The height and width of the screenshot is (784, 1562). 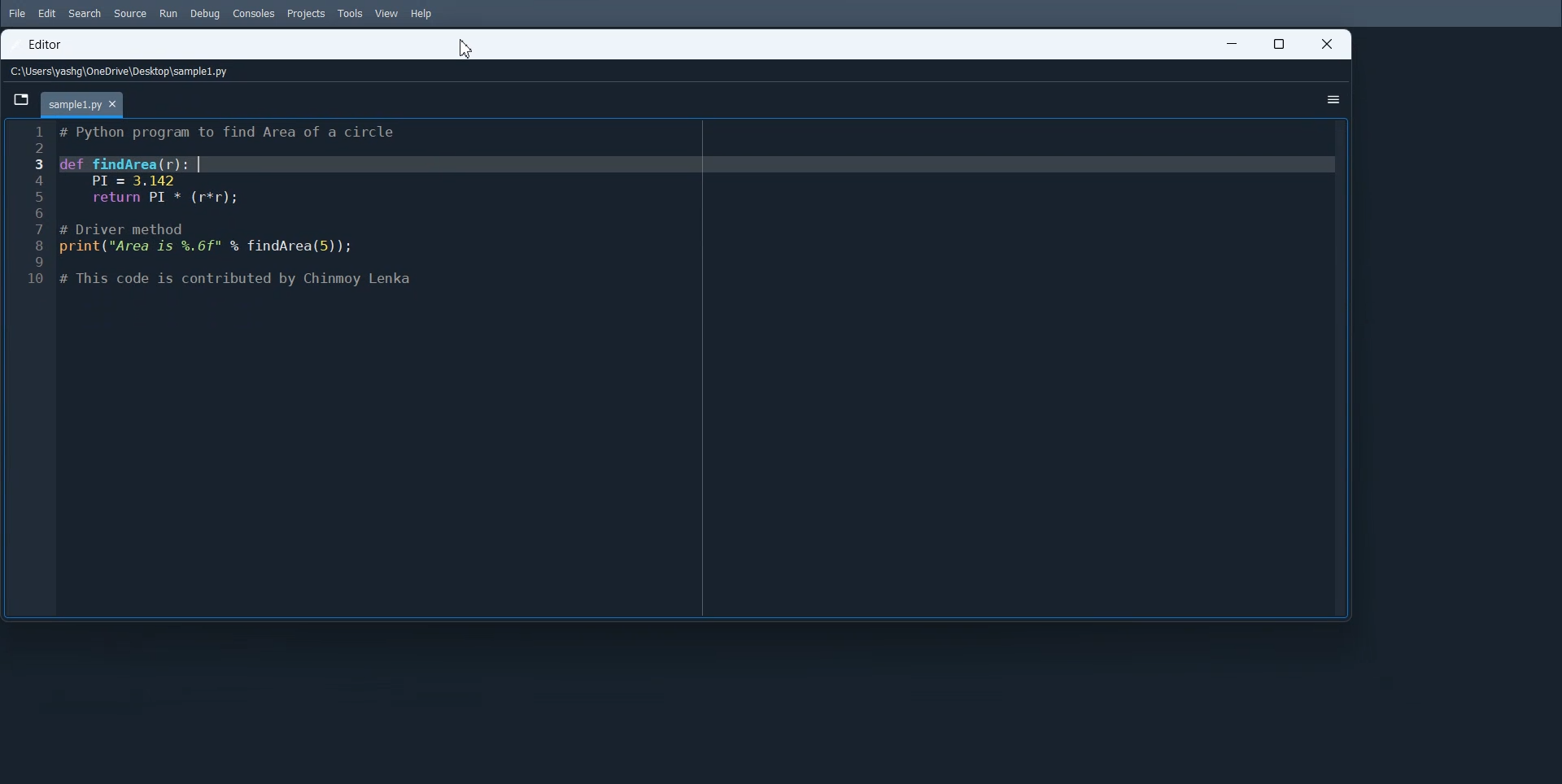 What do you see at coordinates (49, 44) in the screenshot?
I see `Editor` at bounding box center [49, 44].